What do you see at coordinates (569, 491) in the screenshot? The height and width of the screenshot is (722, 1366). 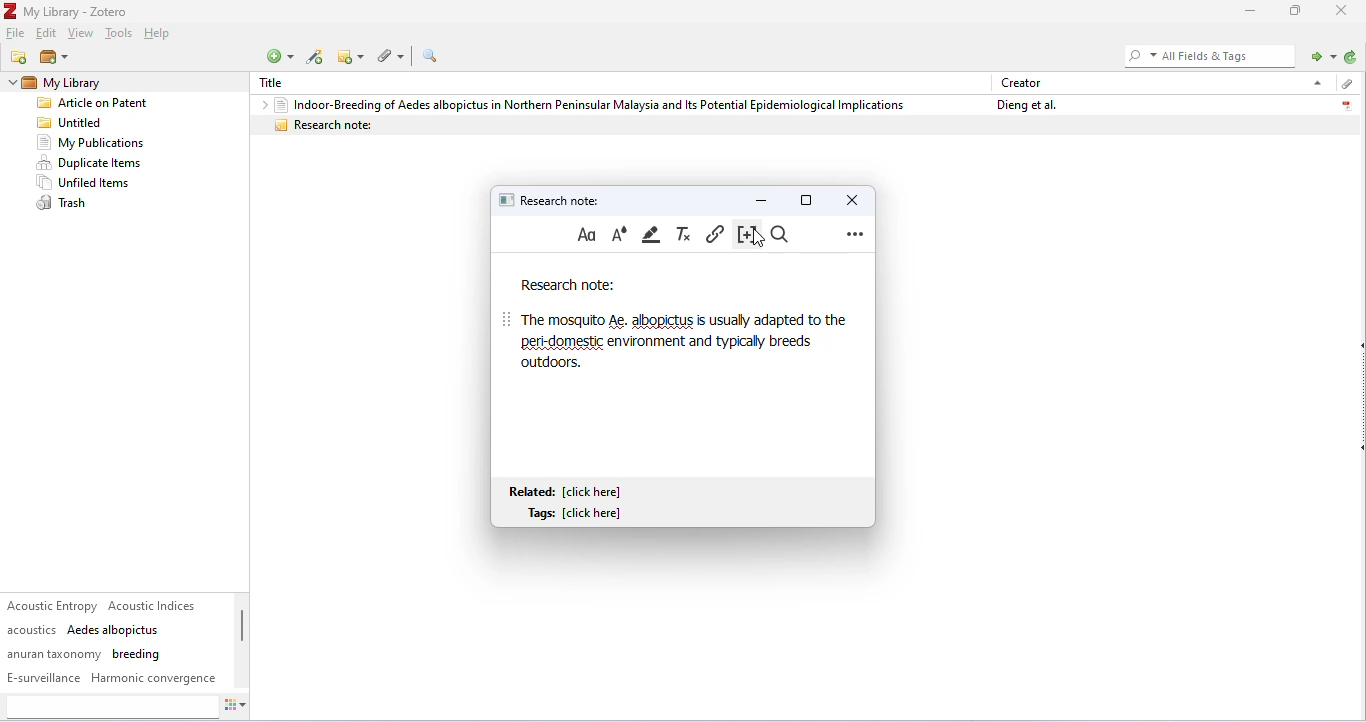 I see `related` at bounding box center [569, 491].